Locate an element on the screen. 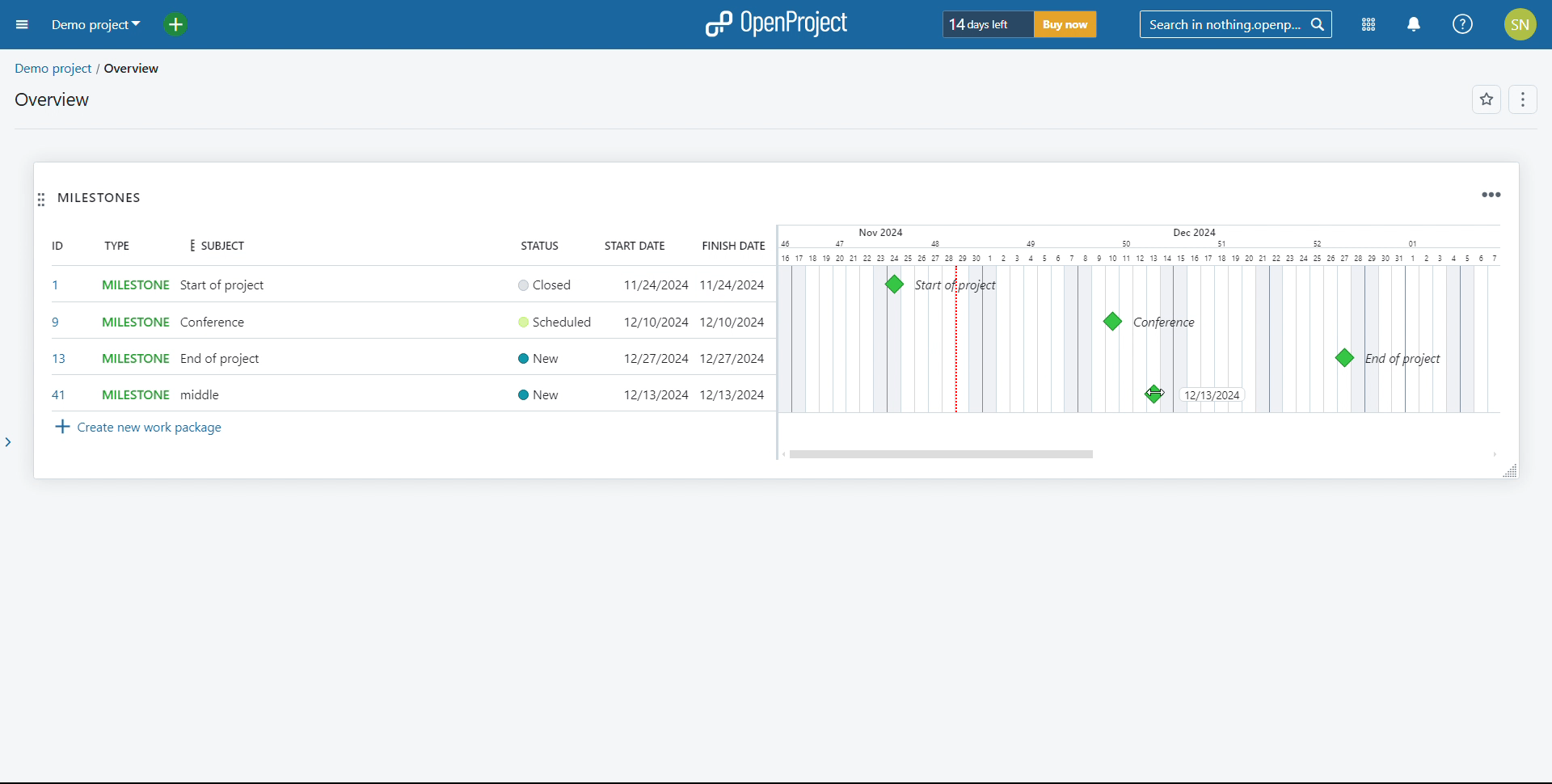  overview is located at coordinates (53, 99).